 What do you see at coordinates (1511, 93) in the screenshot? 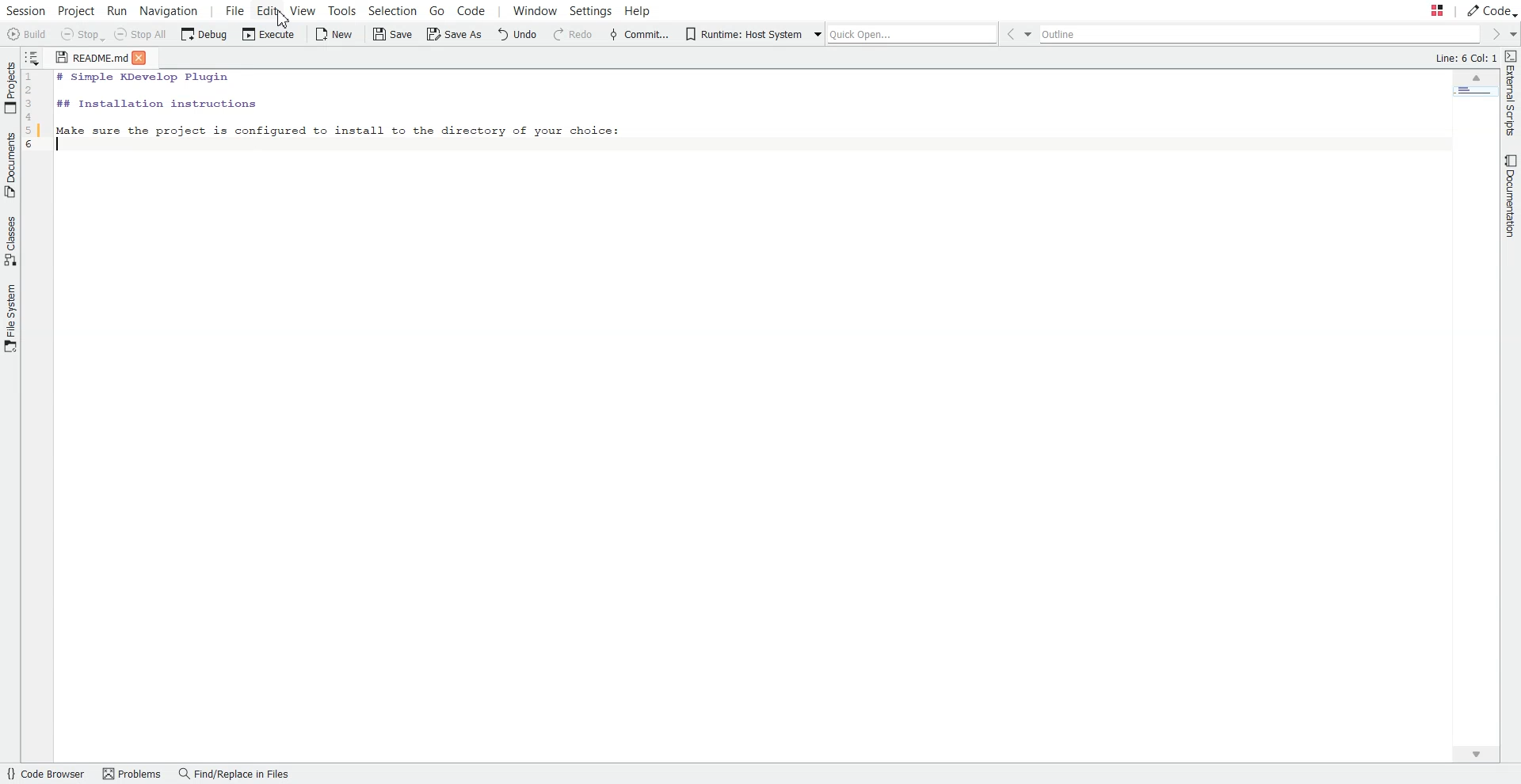
I see `External Scripts` at bounding box center [1511, 93].